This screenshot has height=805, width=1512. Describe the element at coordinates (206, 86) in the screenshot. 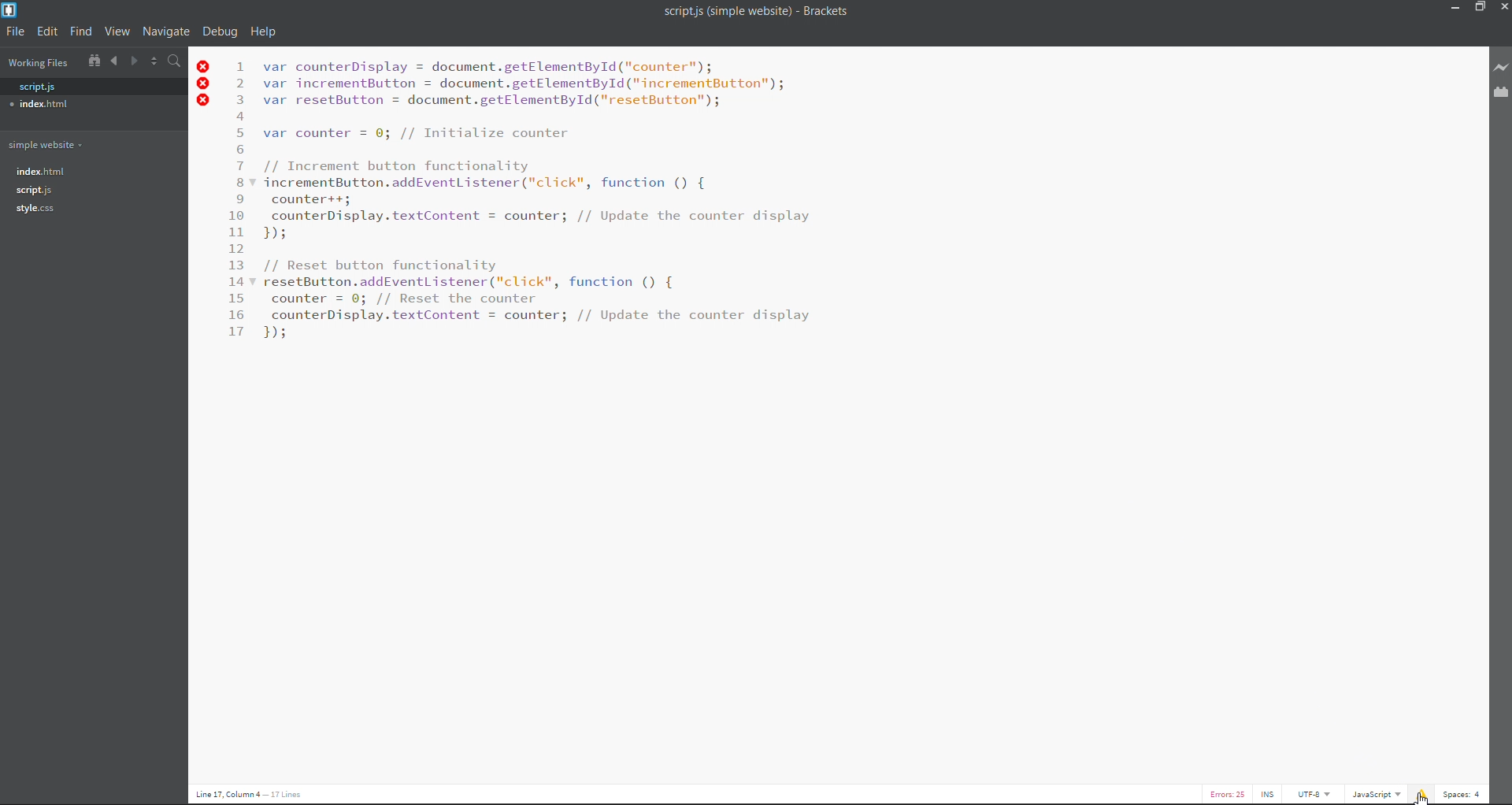

I see `error icon ` at that location.